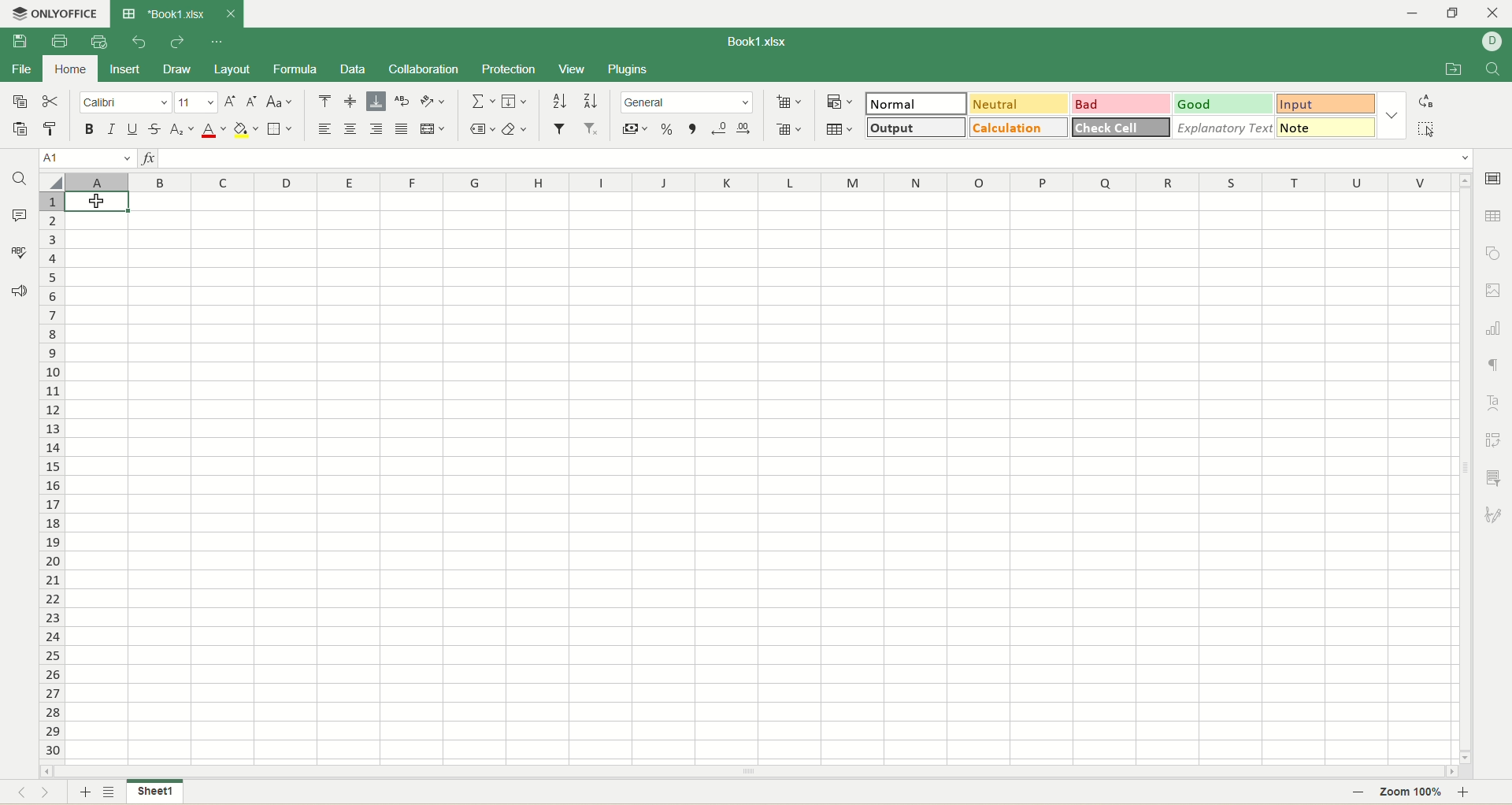 The height and width of the screenshot is (805, 1512). I want to click on comment, so click(21, 217).